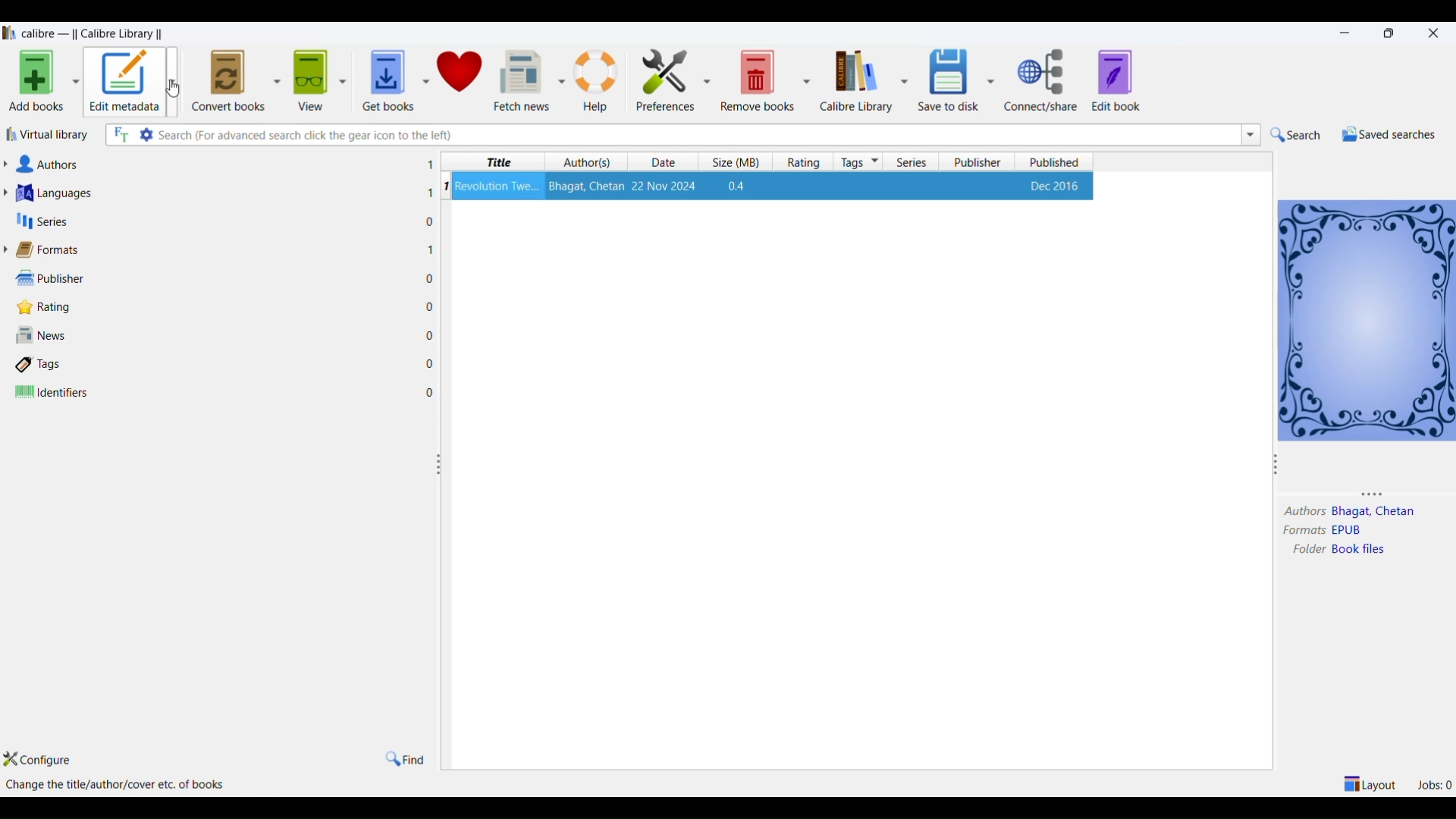 This screenshot has height=819, width=1456. I want to click on book details, so click(773, 186).